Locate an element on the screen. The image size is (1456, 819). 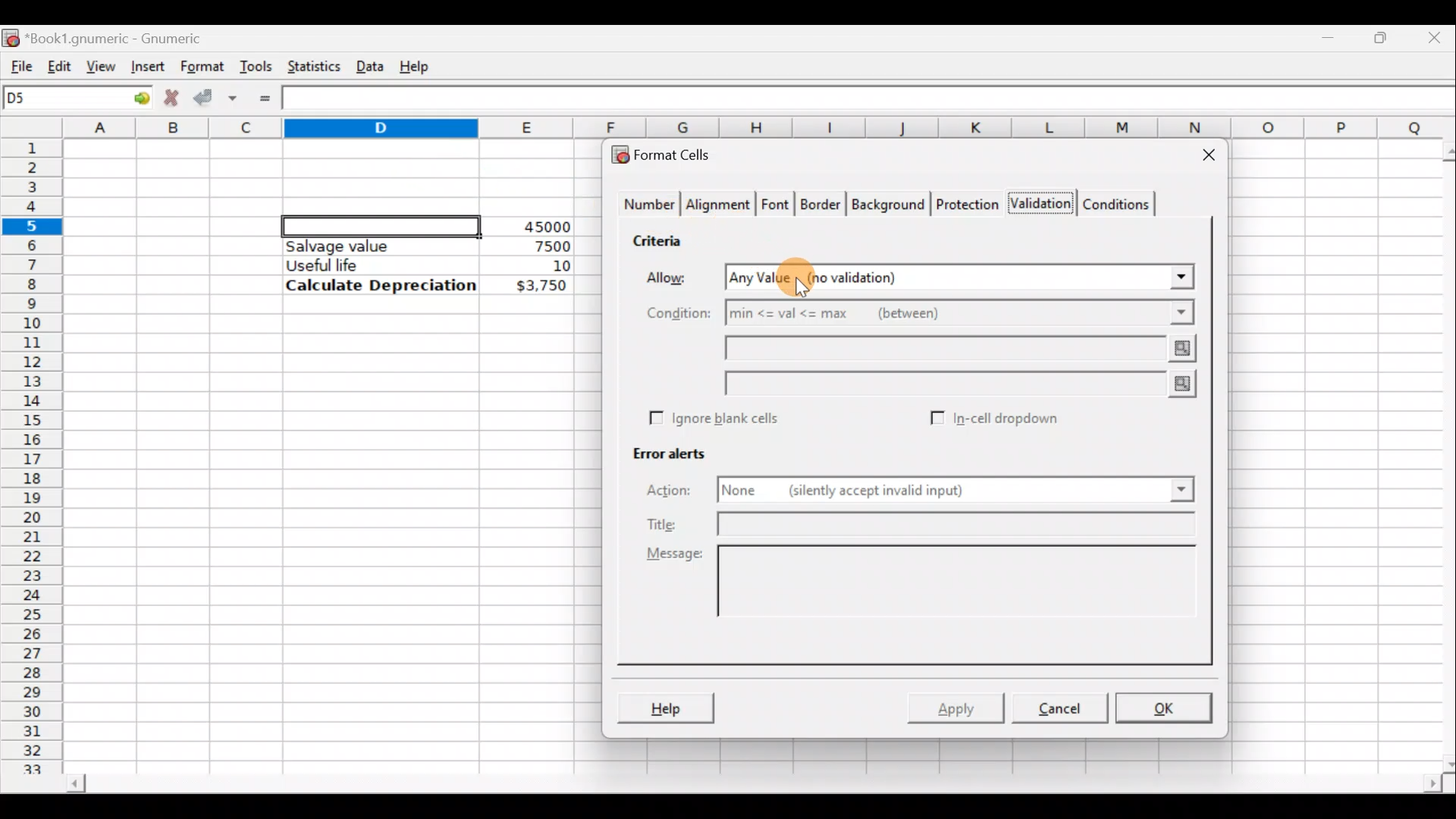
Action is located at coordinates (678, 493).